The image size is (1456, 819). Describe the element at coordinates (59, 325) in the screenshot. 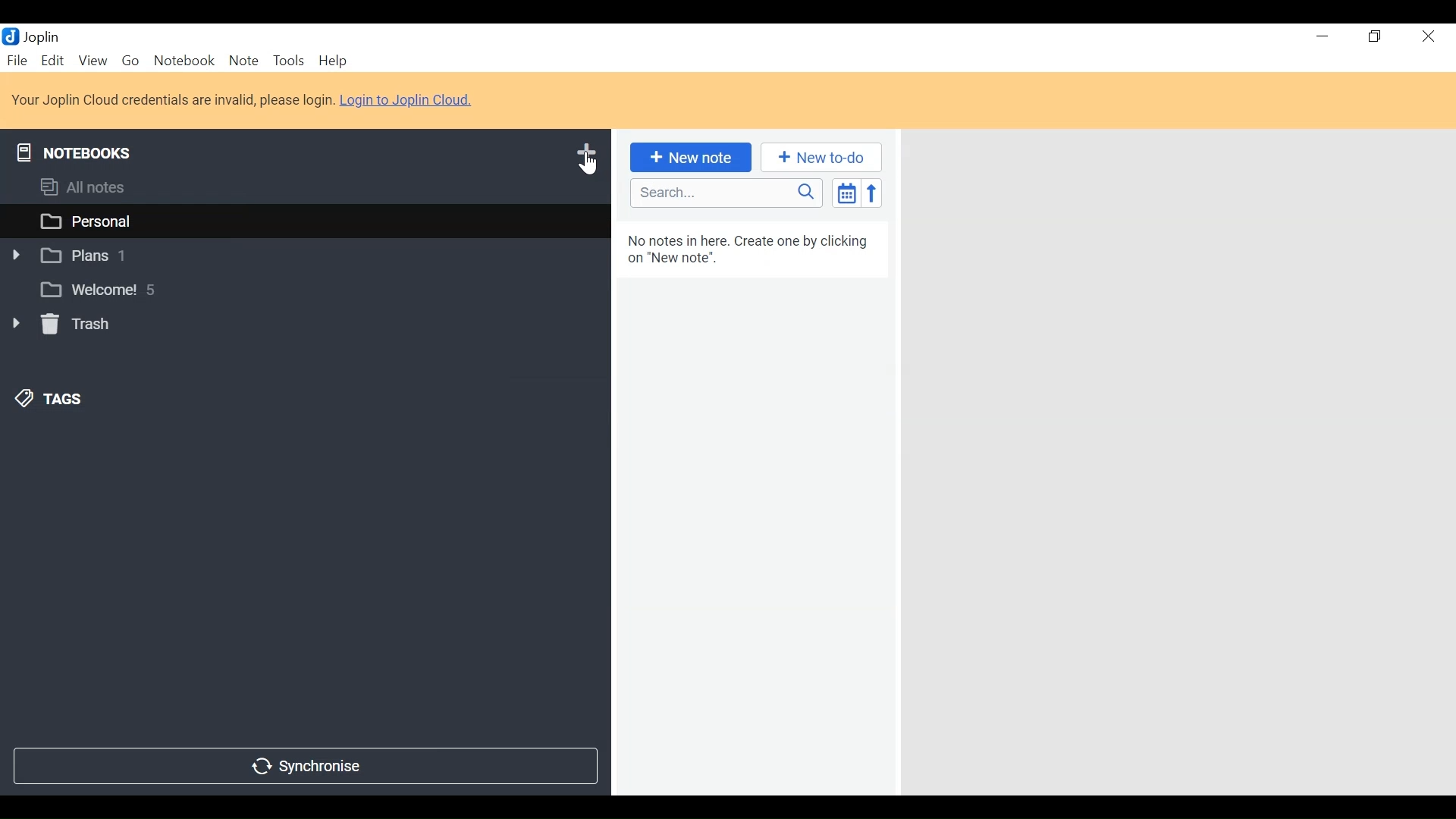

I see `Trash` at that location.